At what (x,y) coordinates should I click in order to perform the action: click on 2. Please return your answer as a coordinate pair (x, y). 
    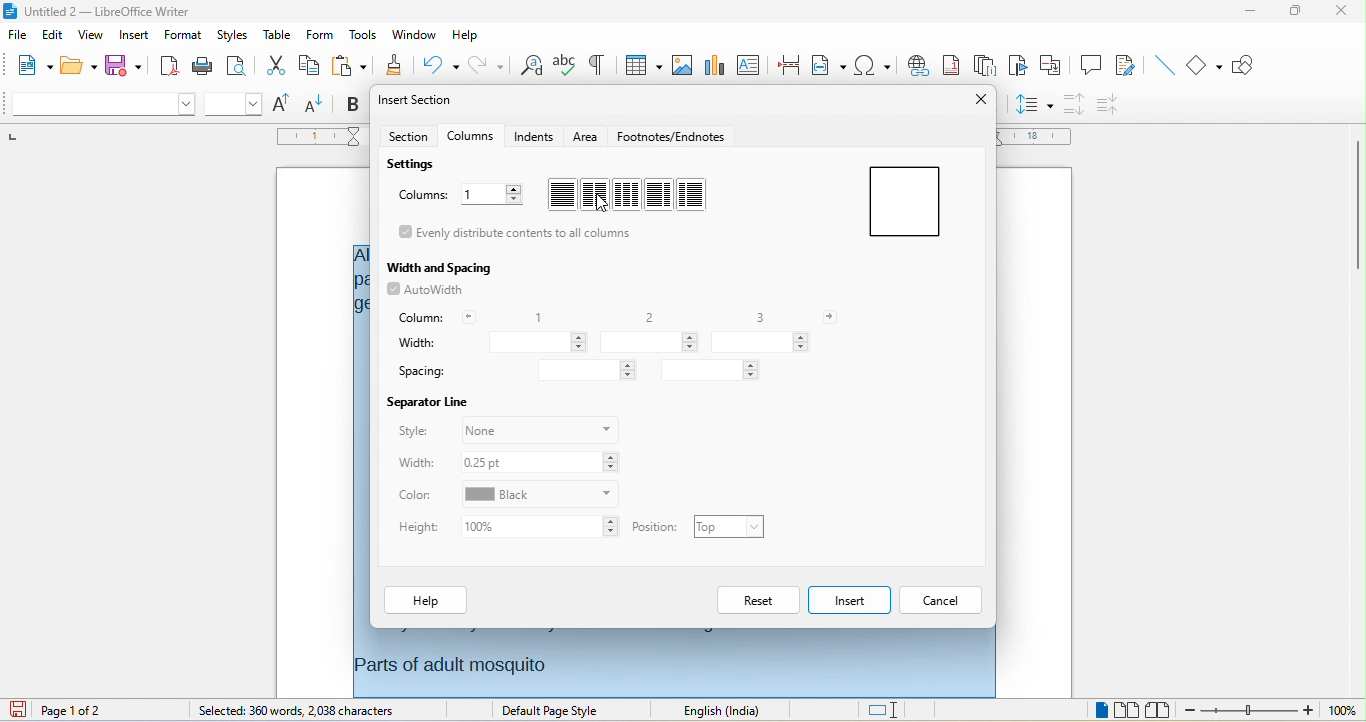
    Looking at the image, I should click on (644, 317).